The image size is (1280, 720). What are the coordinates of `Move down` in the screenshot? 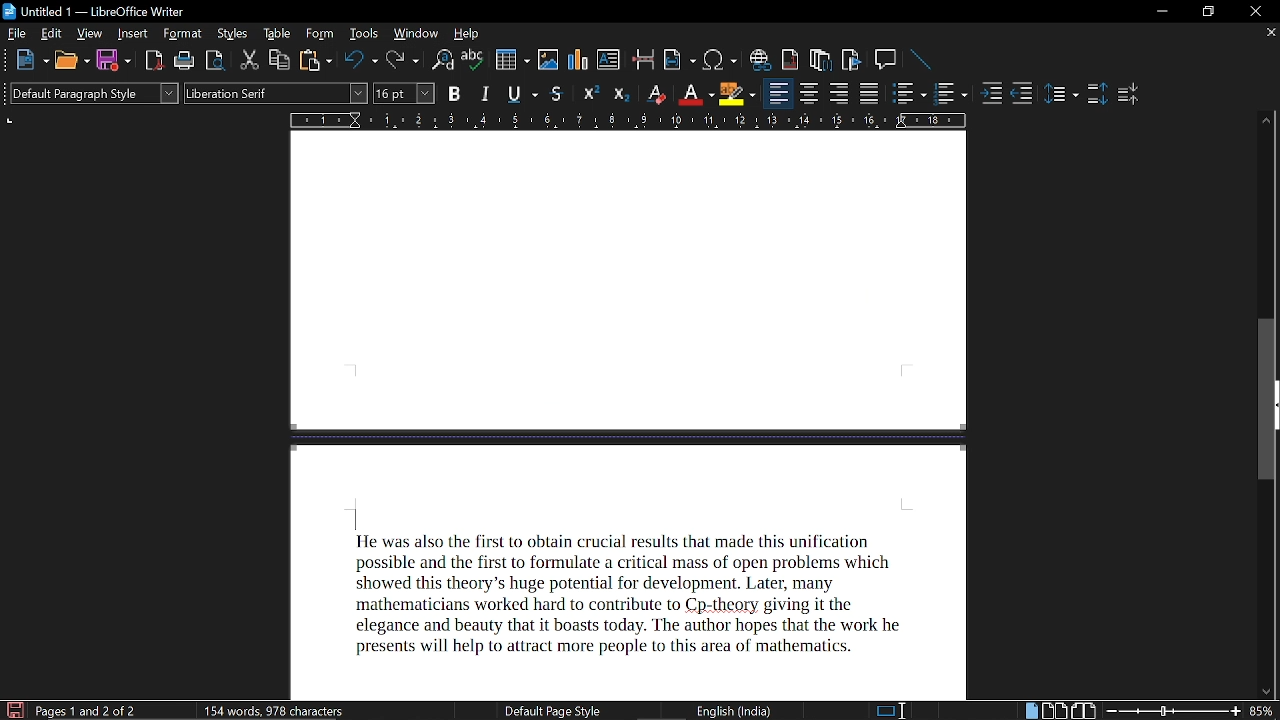 It's located at (1263, 690).